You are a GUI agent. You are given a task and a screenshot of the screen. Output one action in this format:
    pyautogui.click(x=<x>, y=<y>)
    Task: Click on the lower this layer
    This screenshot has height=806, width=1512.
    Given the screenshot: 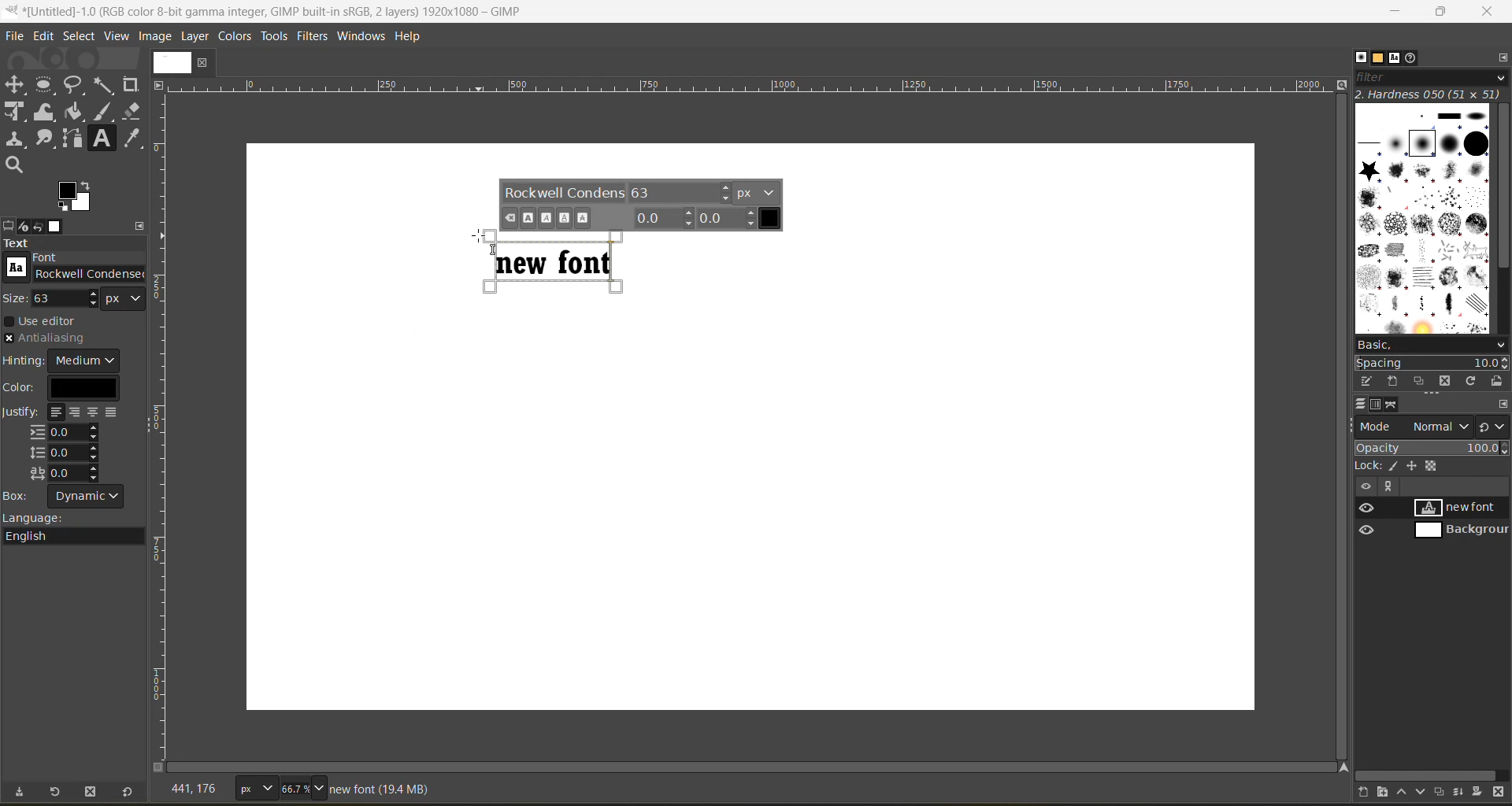 What is the action you would take?
    pyautogui.click(x=1425, y=789)
    